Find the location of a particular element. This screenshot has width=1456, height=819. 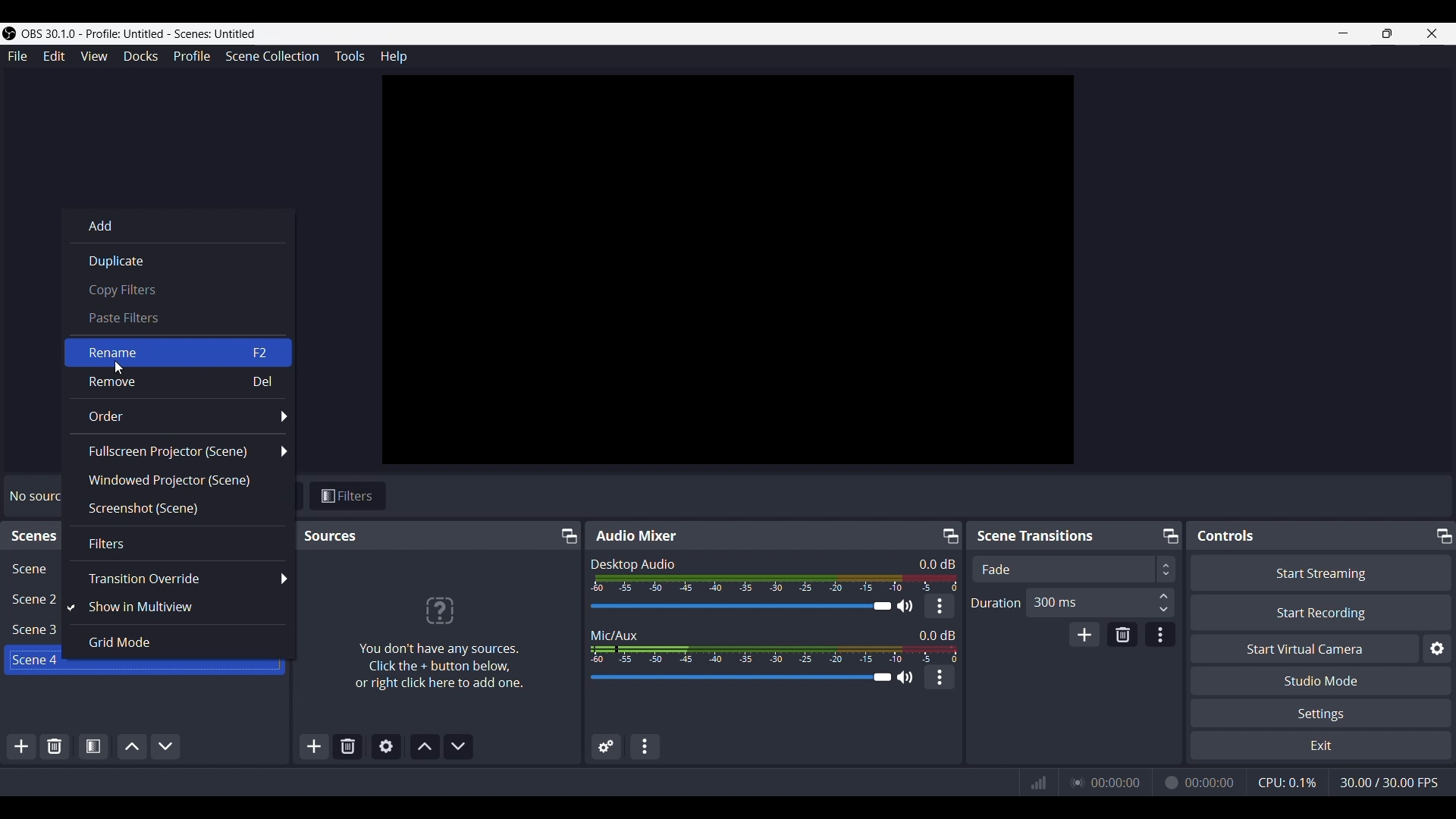

Move source(s) down is located at coordinates (457, 745).